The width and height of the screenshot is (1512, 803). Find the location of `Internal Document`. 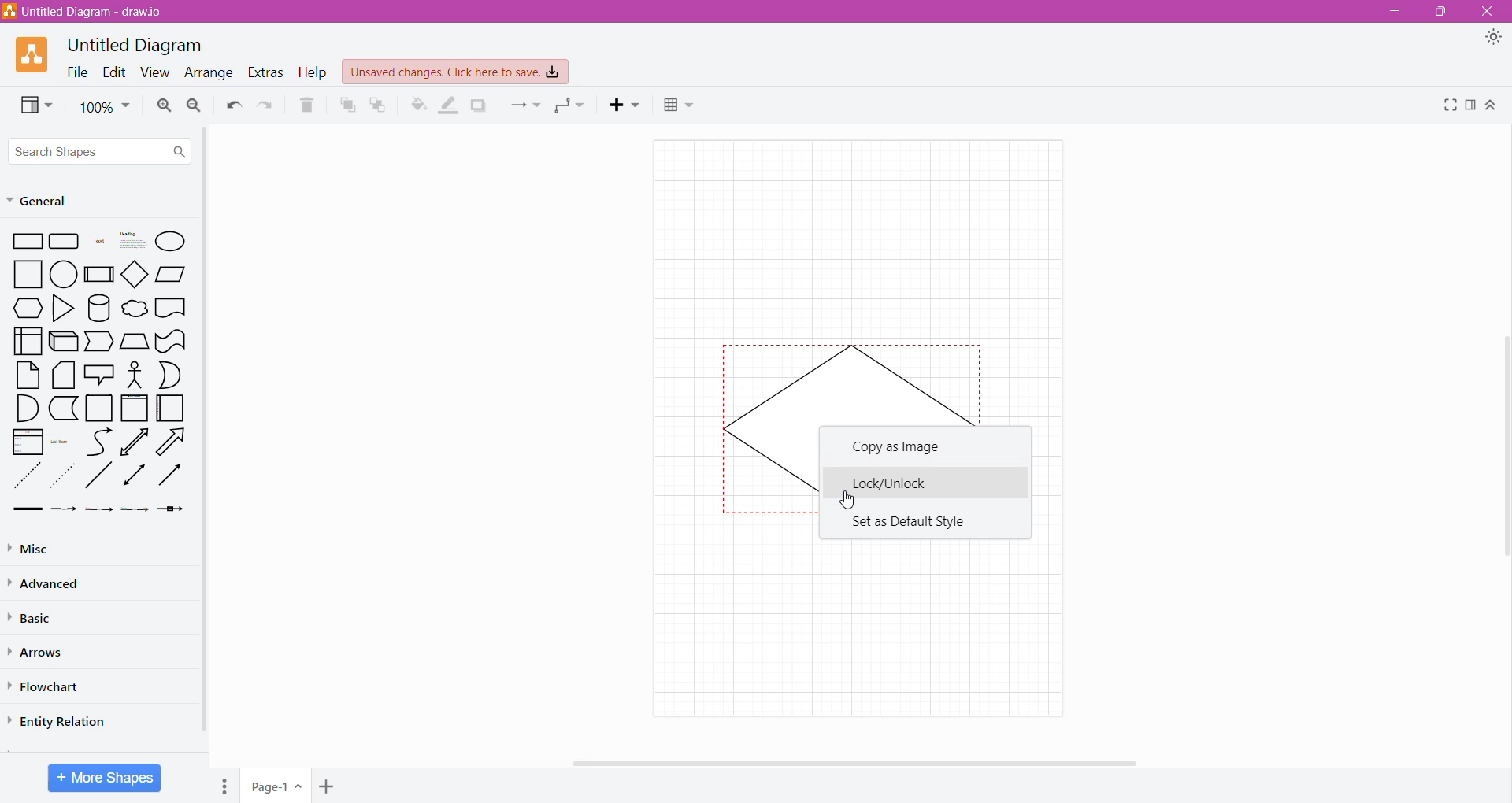

Internal Document is located at coordinates (27, 339).